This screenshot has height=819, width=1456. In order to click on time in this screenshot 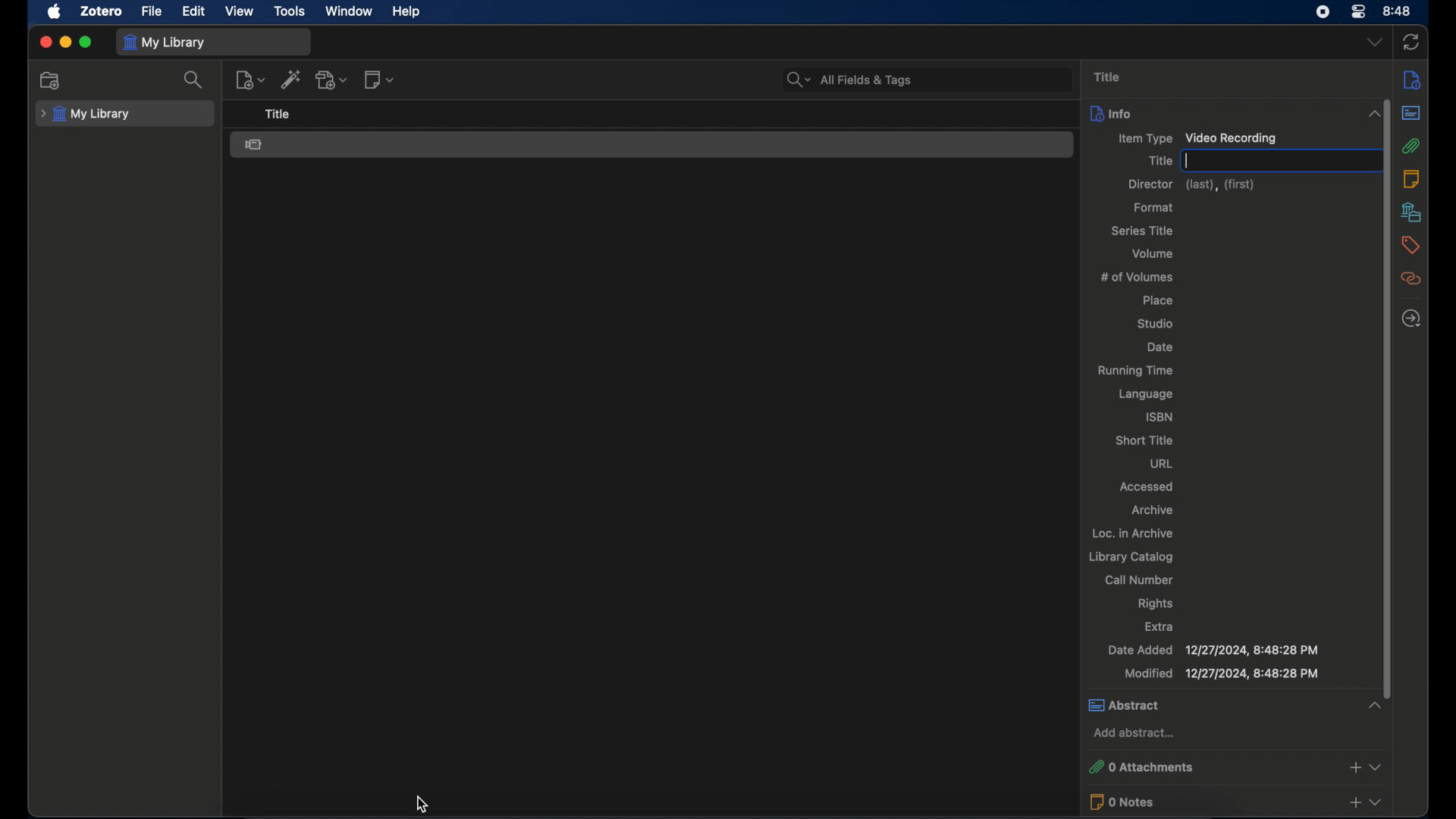, I will do `click(1398, 11)`.